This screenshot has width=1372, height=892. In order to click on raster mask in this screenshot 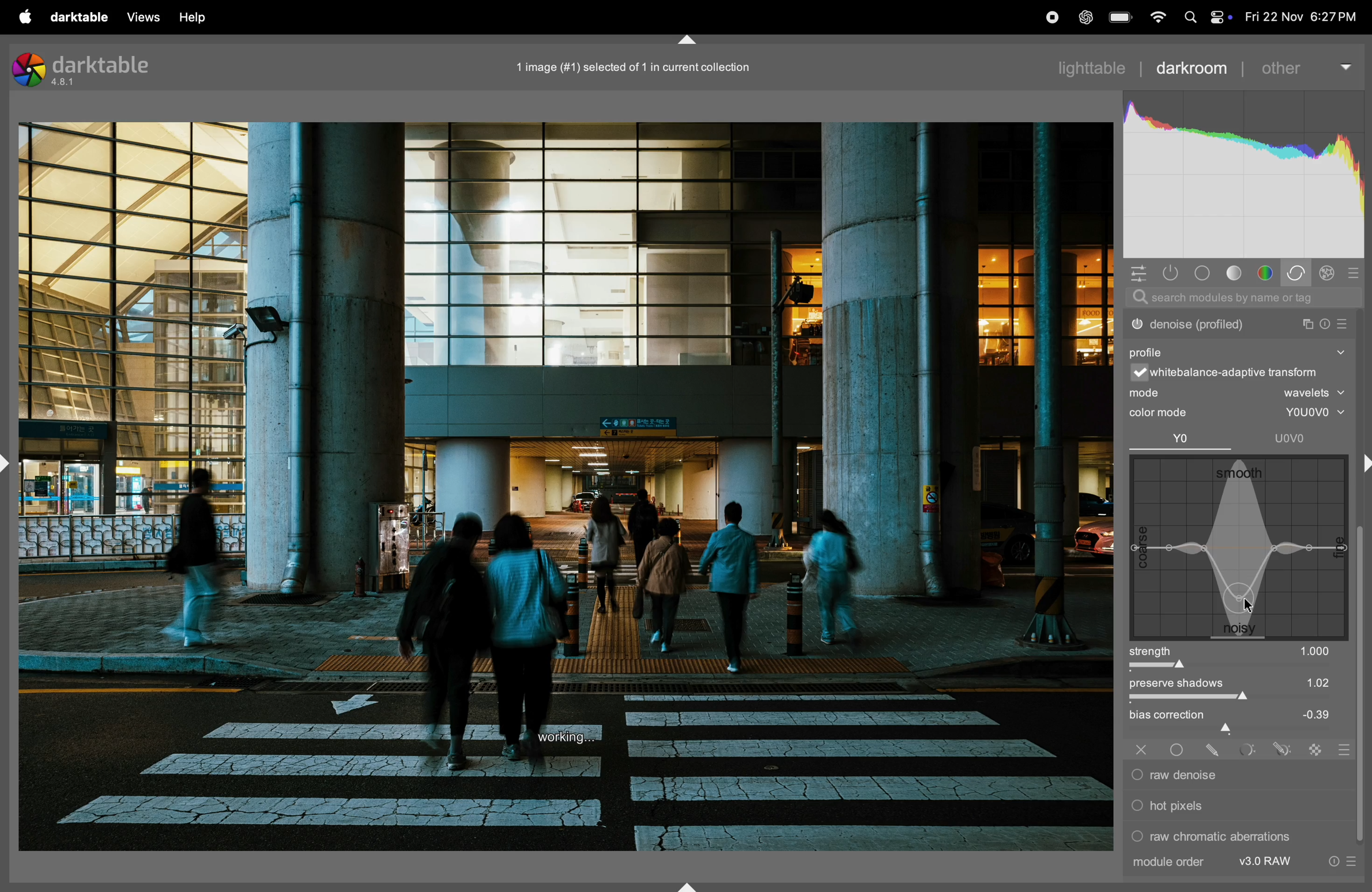, I will do `click(1318, 749)`.